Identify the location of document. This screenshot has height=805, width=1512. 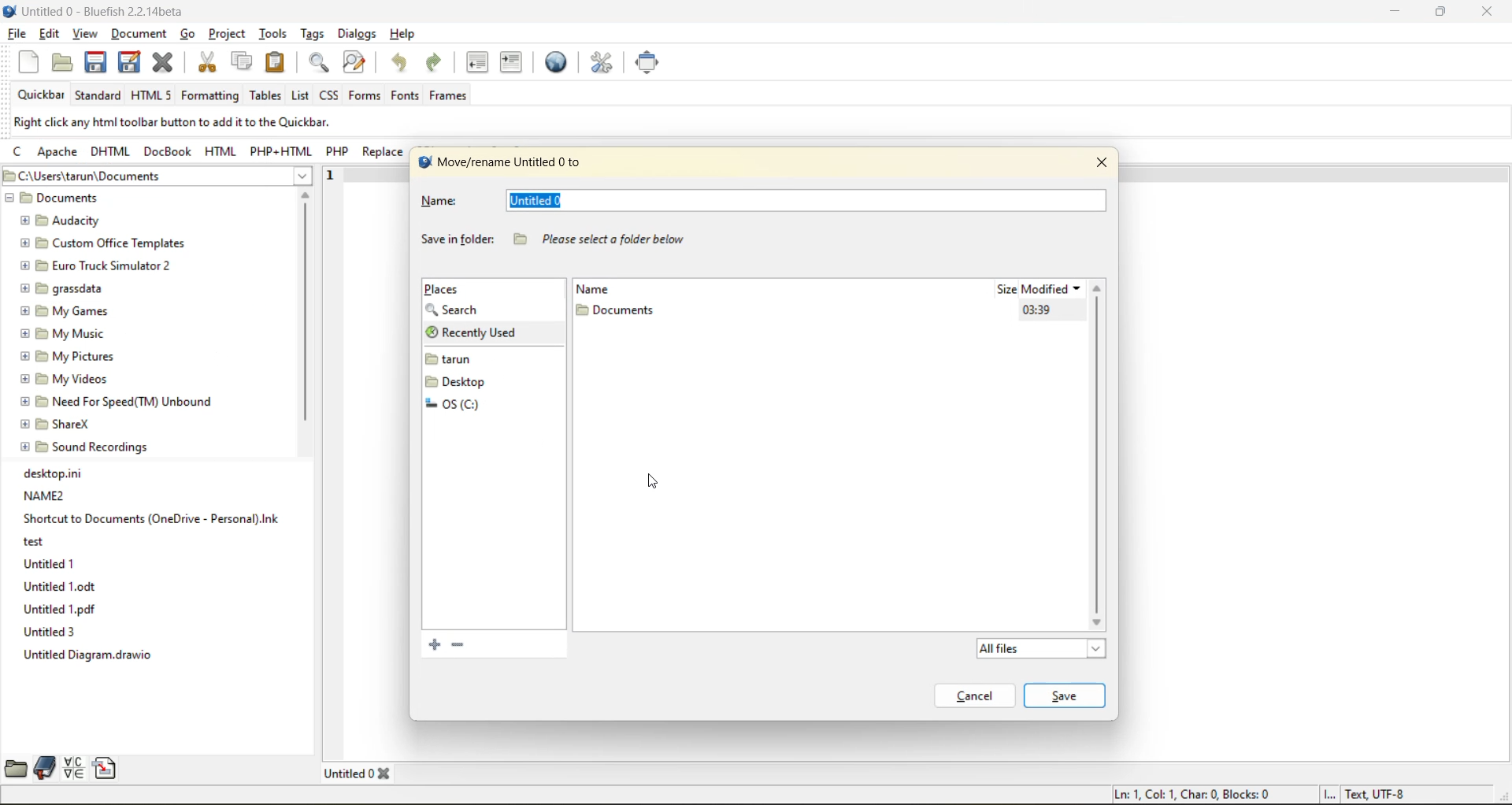
(137, 32).